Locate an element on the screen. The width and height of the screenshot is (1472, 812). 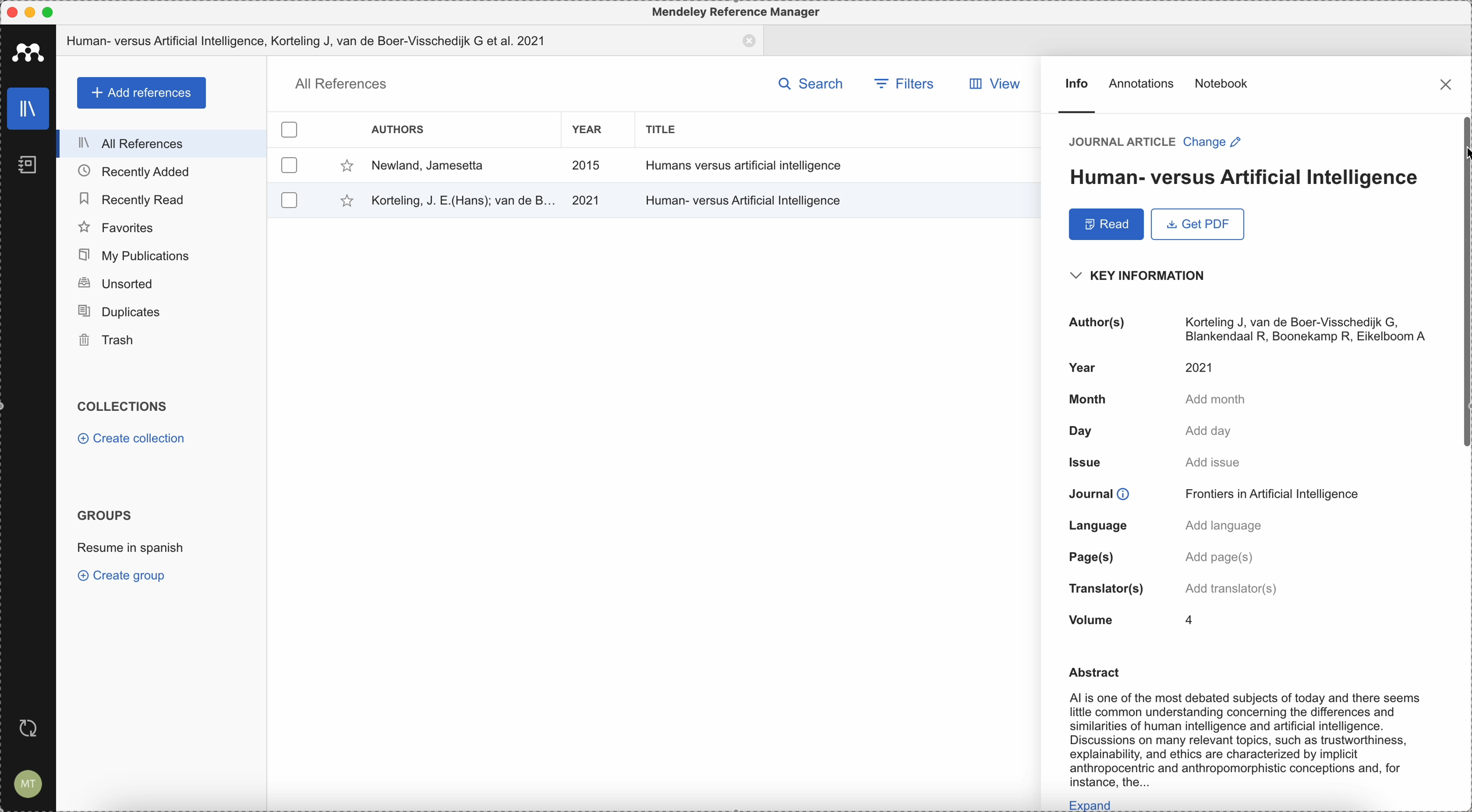
minimize Mendeley is located at coordinates (33, 11).